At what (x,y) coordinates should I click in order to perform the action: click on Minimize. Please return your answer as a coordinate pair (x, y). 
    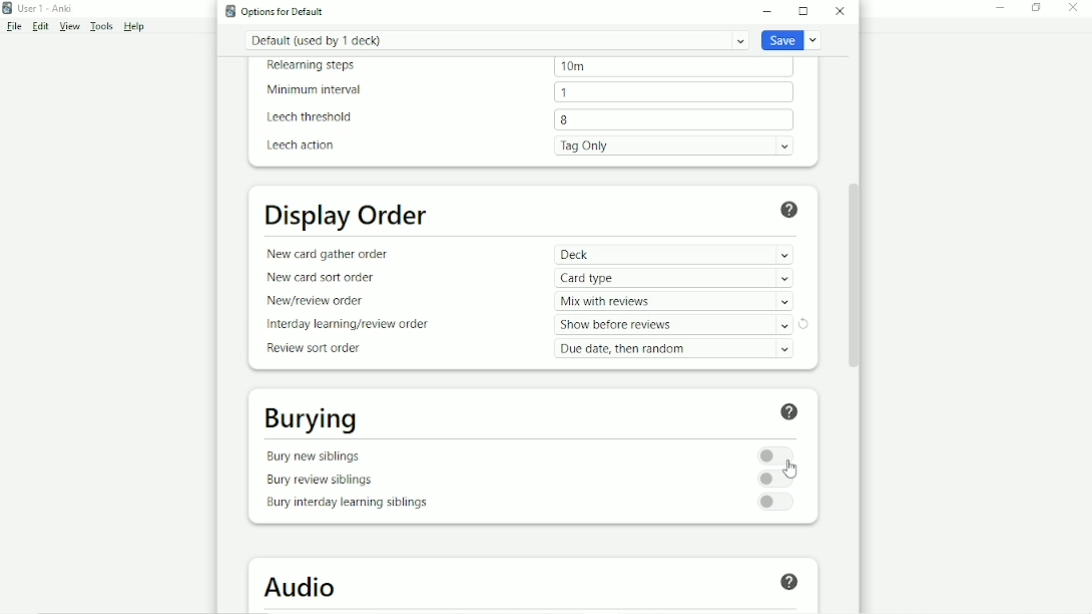
    Looking at the image, I should click on (770, 11).